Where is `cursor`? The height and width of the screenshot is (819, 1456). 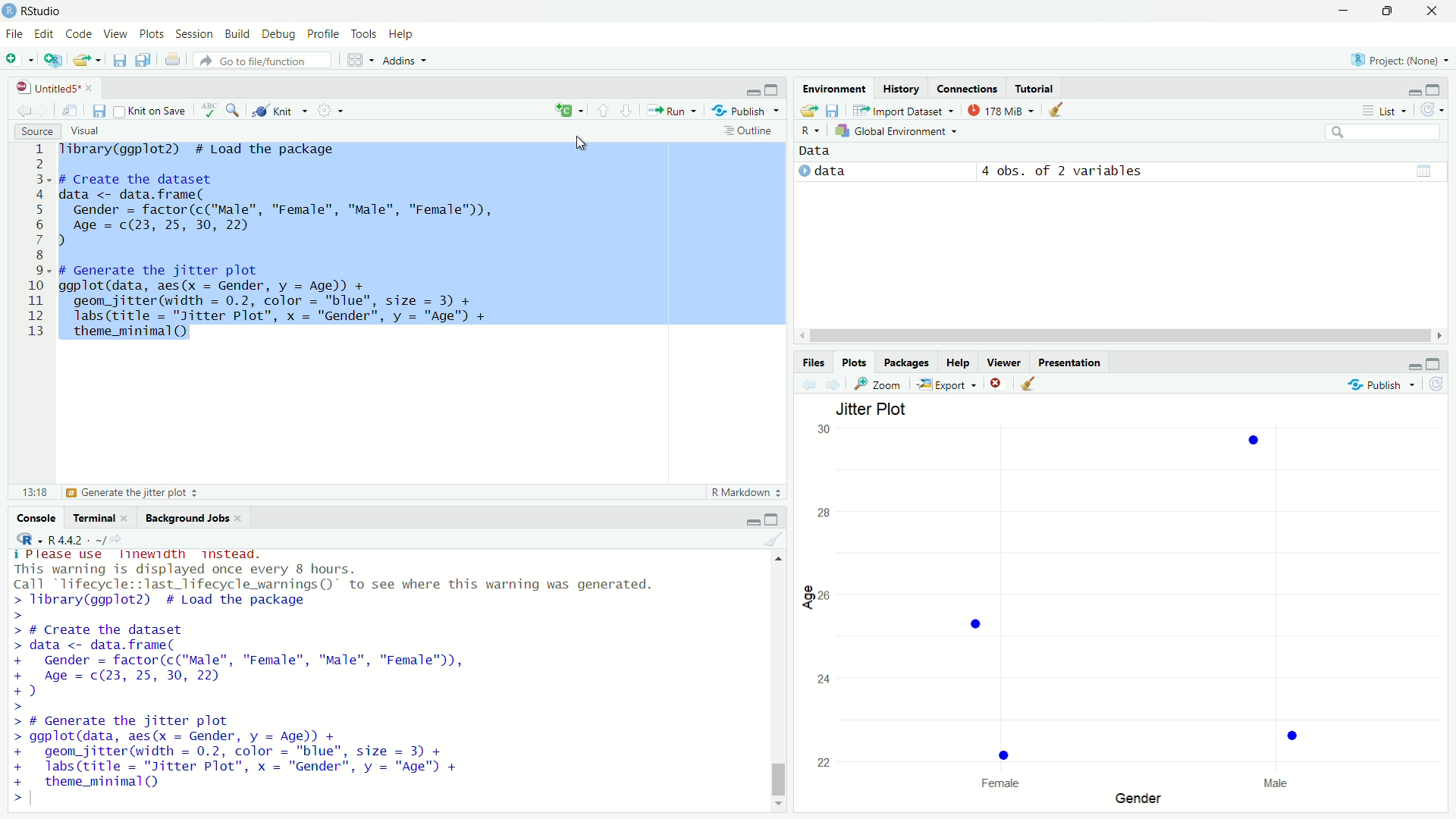 cursor is located at coordinates (582, 143).